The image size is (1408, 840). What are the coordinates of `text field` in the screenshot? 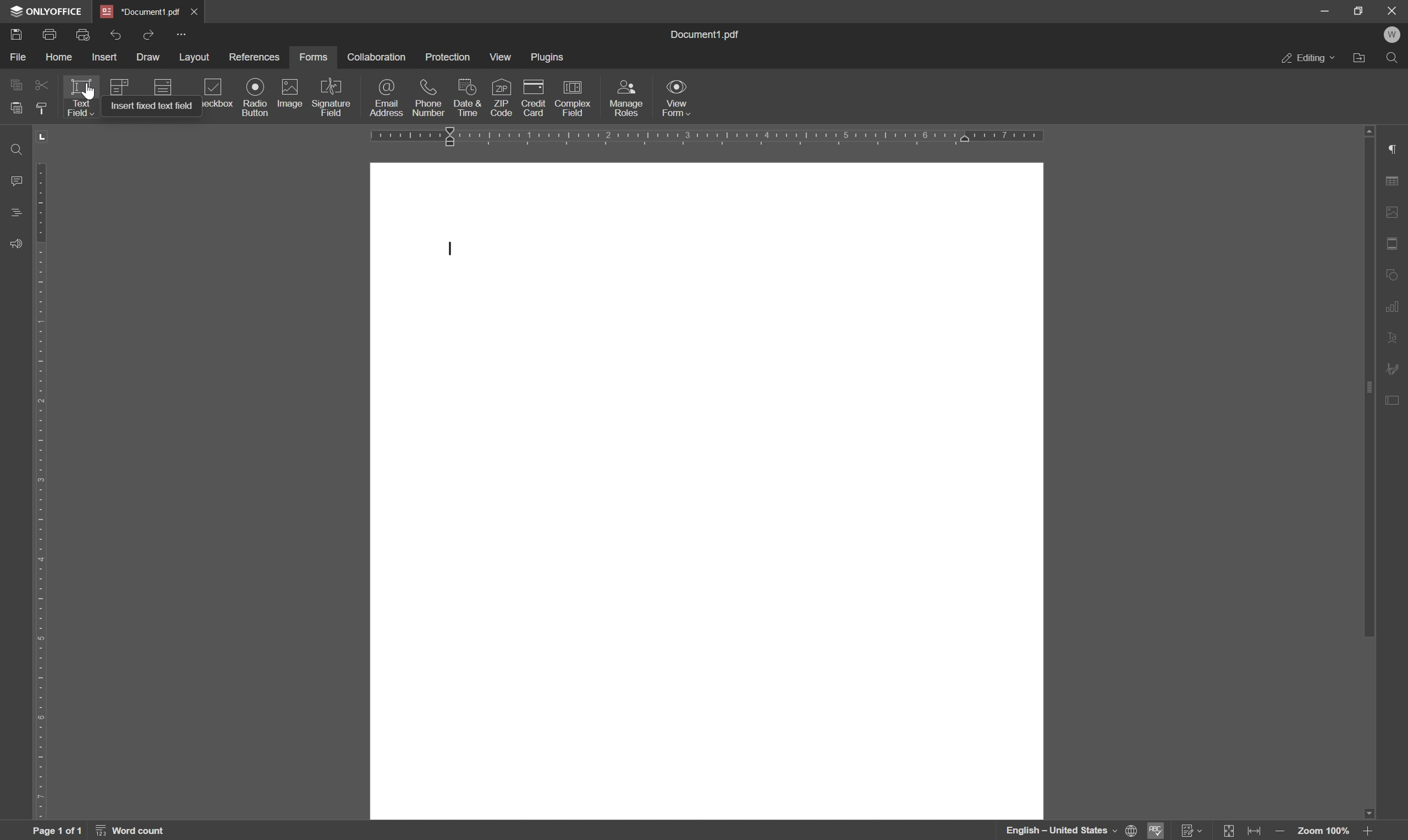 It's located at (80, 97).